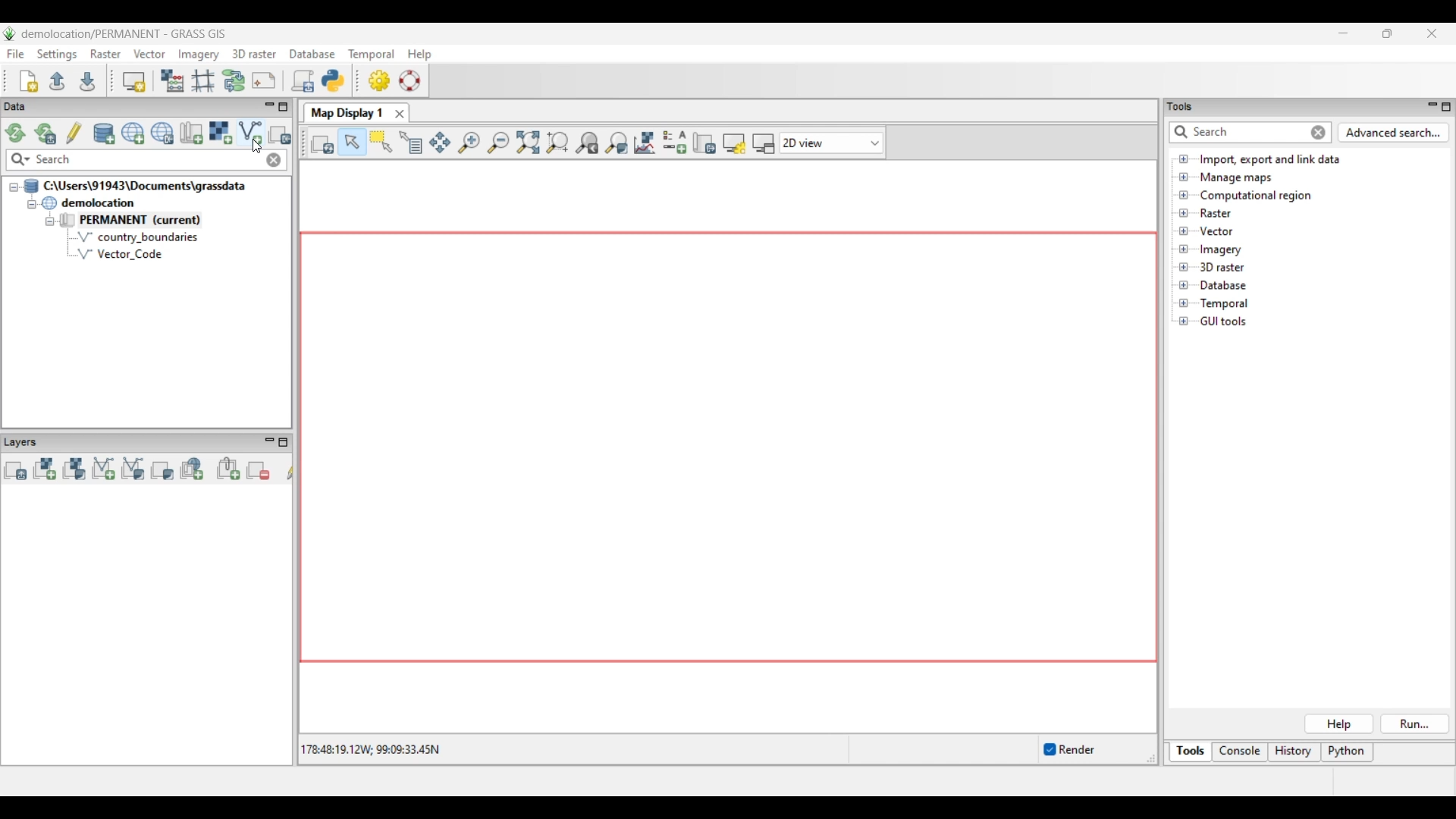  I want to click on 3D raster menu, so click(254, 53).